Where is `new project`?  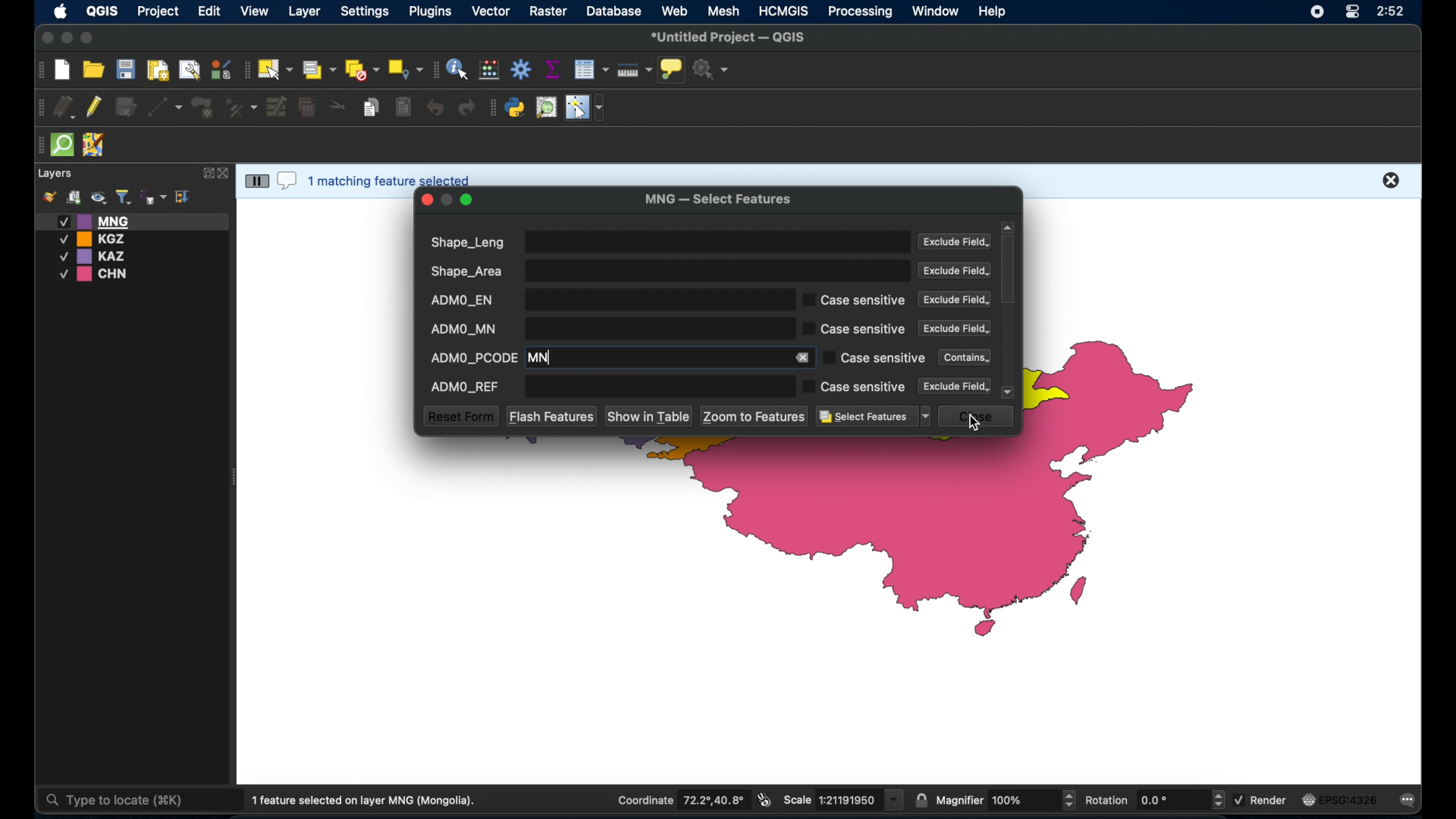 new project is located at coordinates (63, 71).